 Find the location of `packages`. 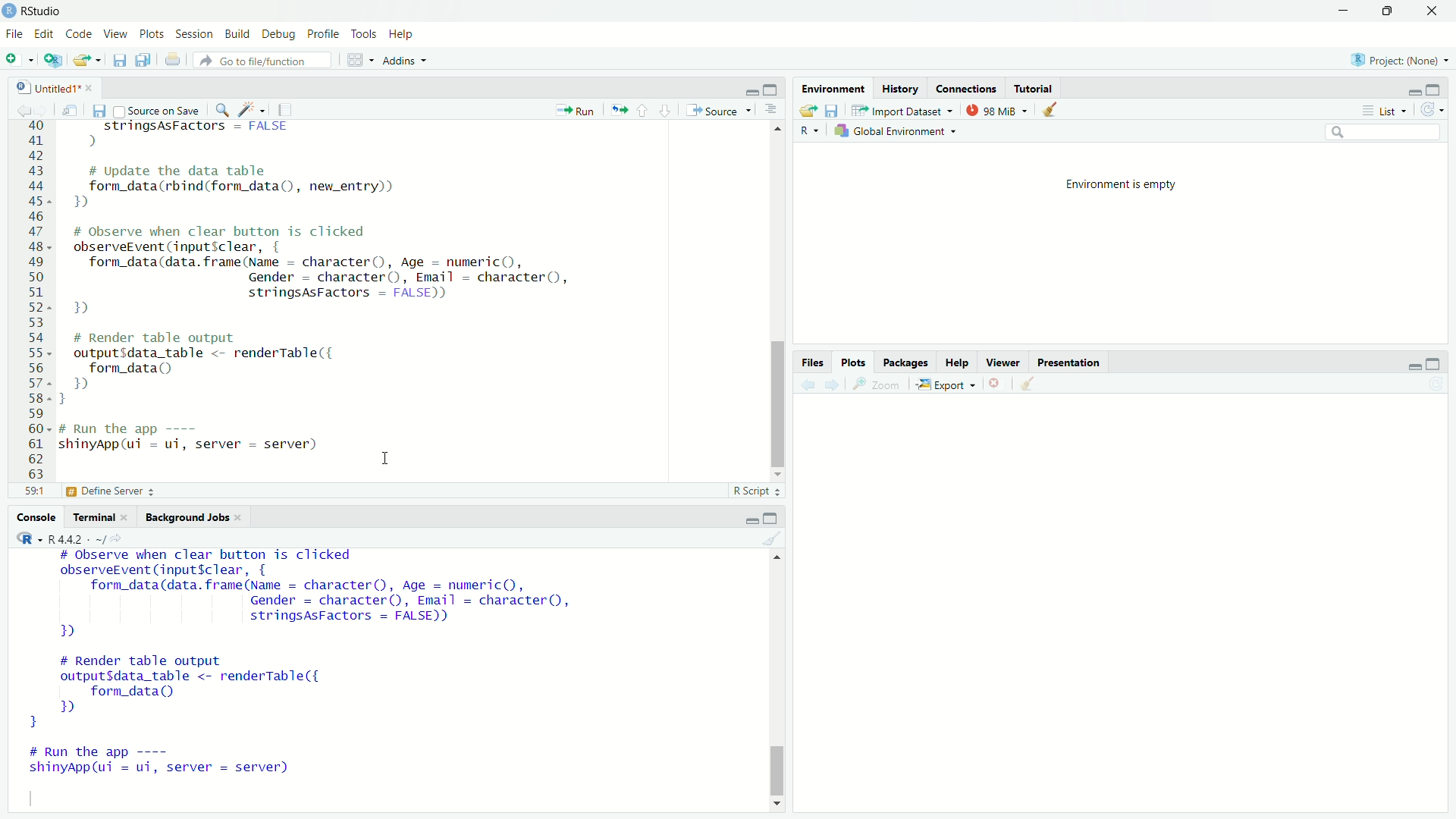

packages is located at coordinates (907, 362).